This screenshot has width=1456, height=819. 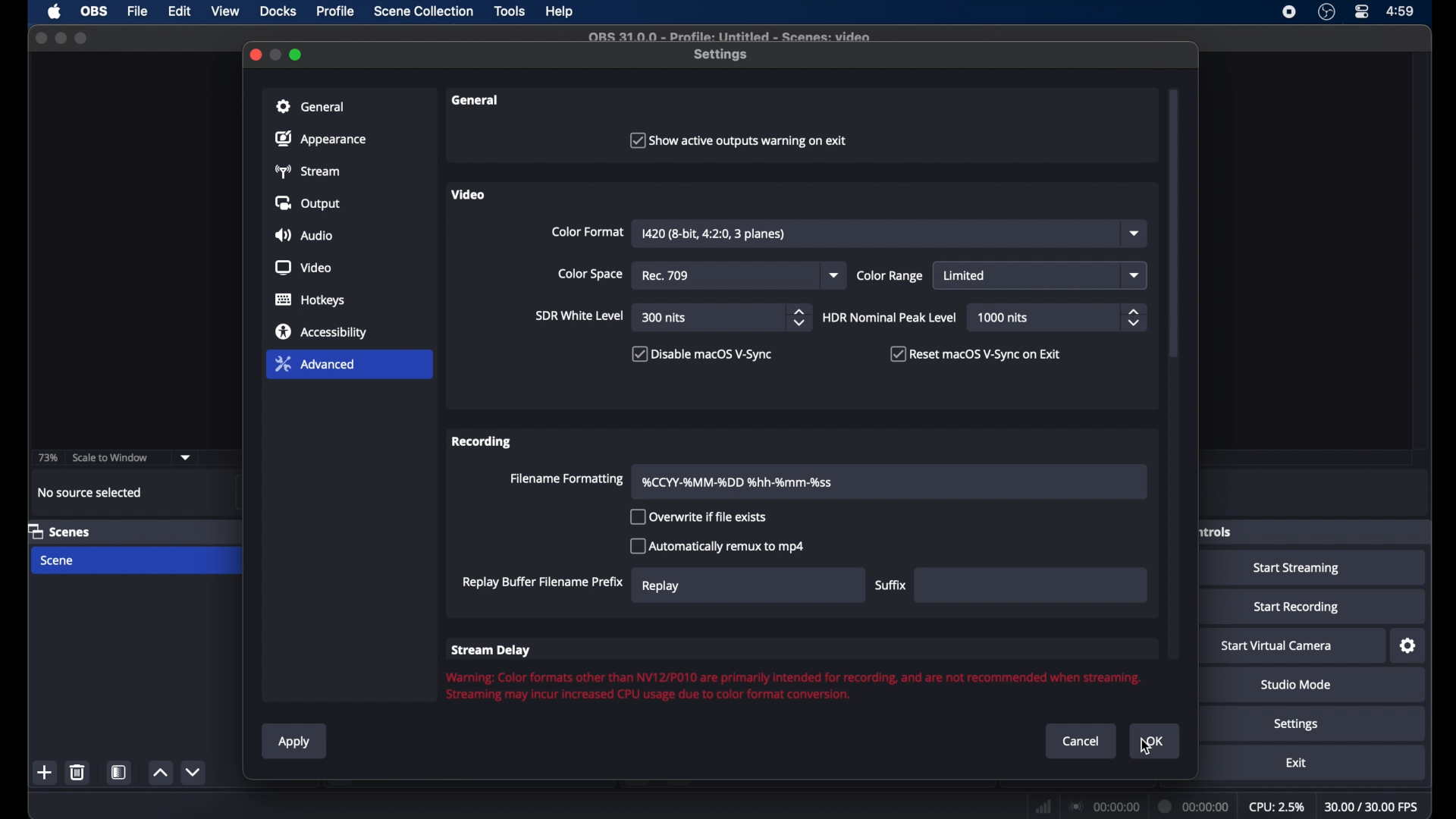 I want to click on advanced, so click(x=349, y=366).